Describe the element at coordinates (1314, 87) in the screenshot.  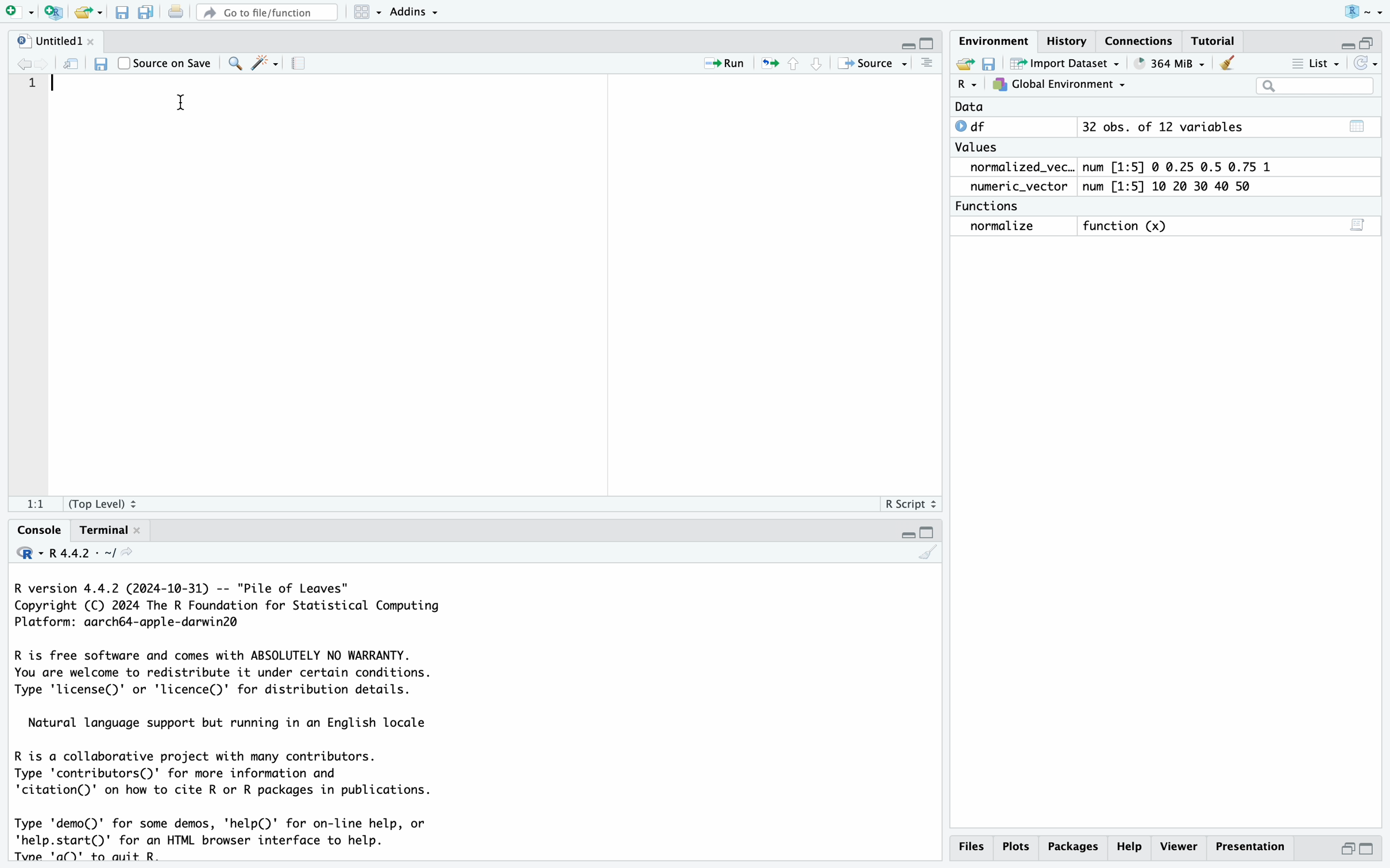
I see `Search Bar` at that location.